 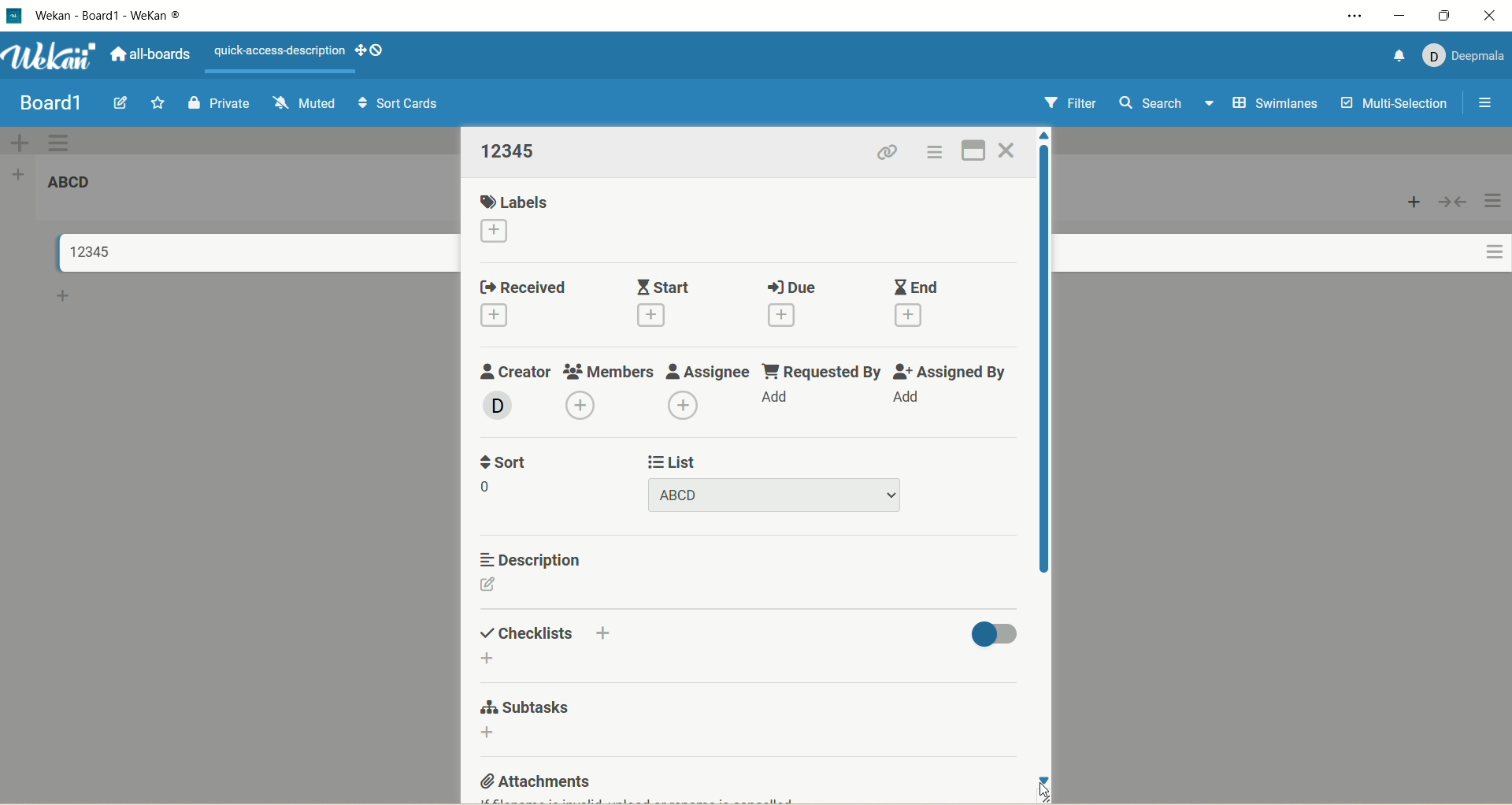 What do you see at coordinates (301, 101) in the screenshot?
I see `muted` at bounding box center [301, 101].